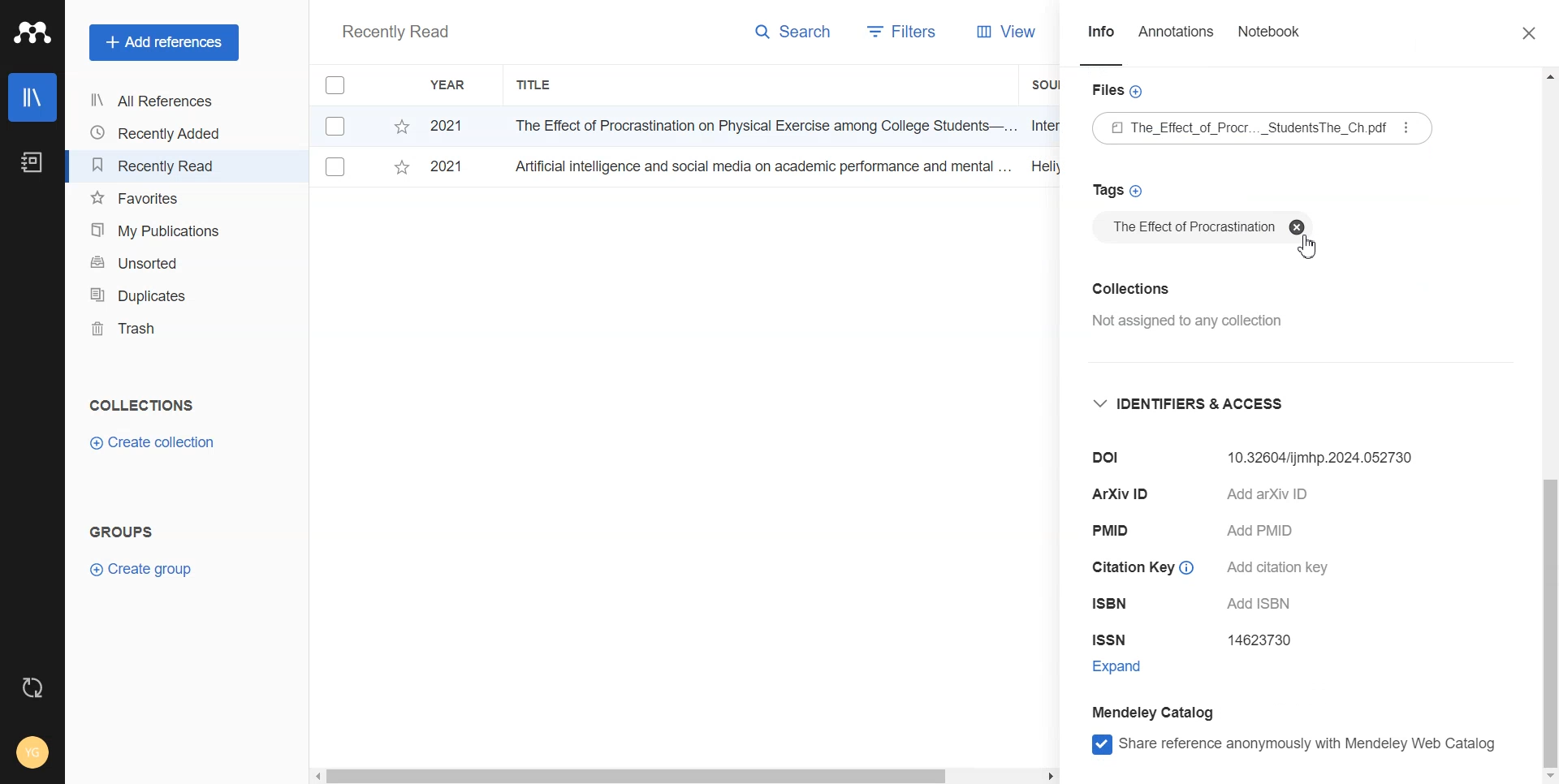 The height and width of the screenshot is (784, 1559). I want to click on Notebook, so click(30, 163).